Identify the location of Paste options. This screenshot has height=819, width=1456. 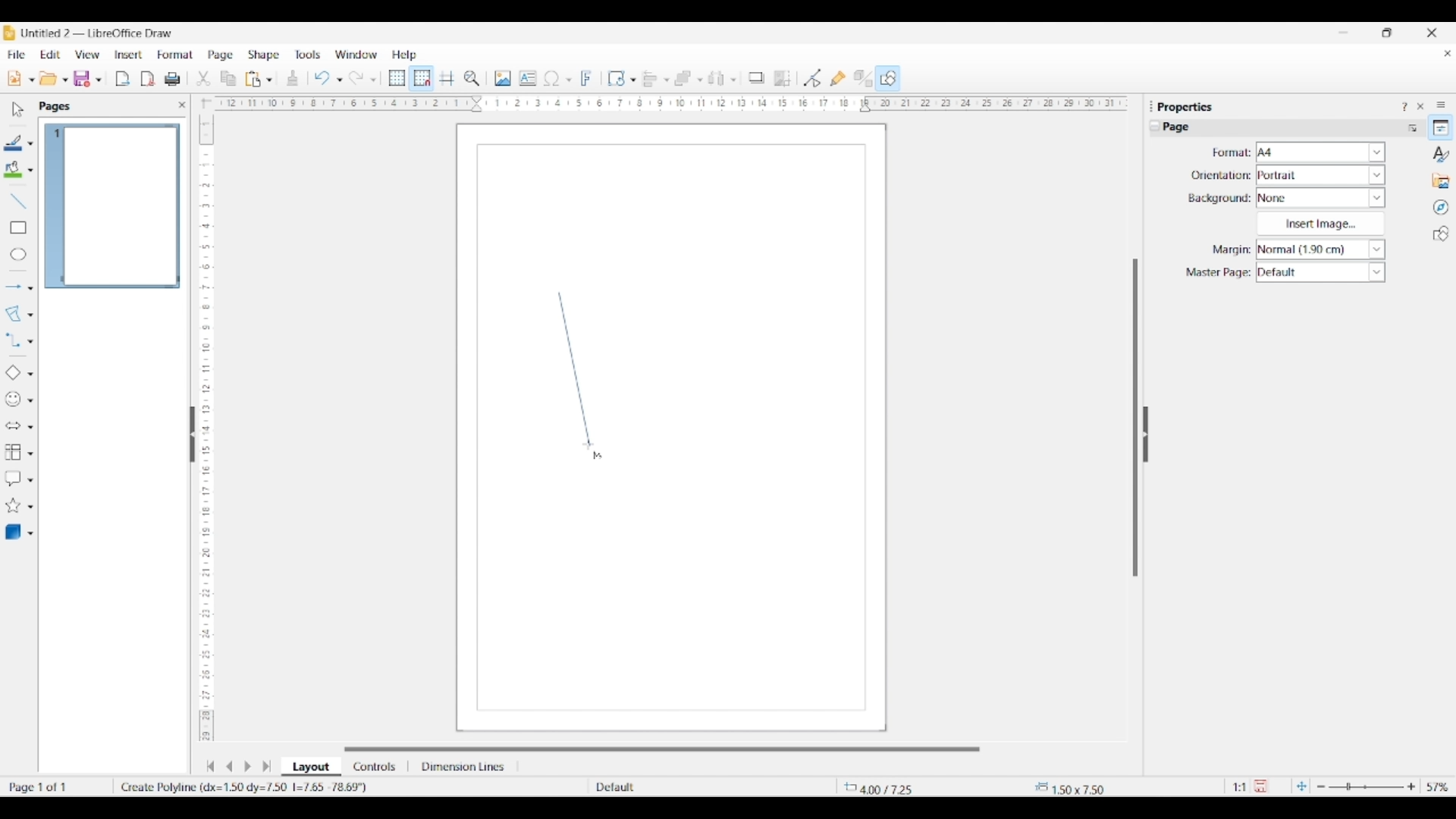
(269, 80).